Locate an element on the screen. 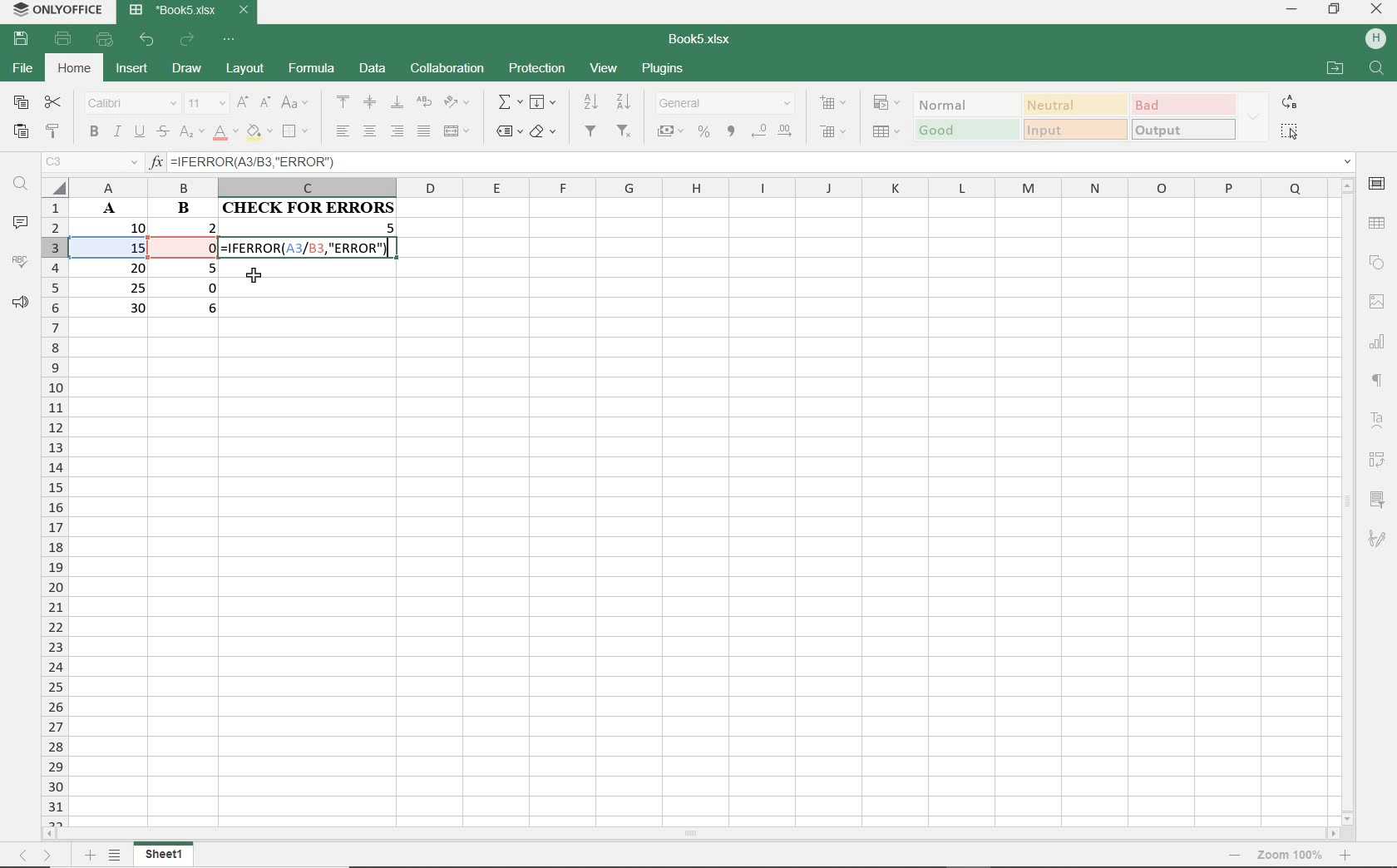  ALIGN TOP is located at coordinates (343, 101).